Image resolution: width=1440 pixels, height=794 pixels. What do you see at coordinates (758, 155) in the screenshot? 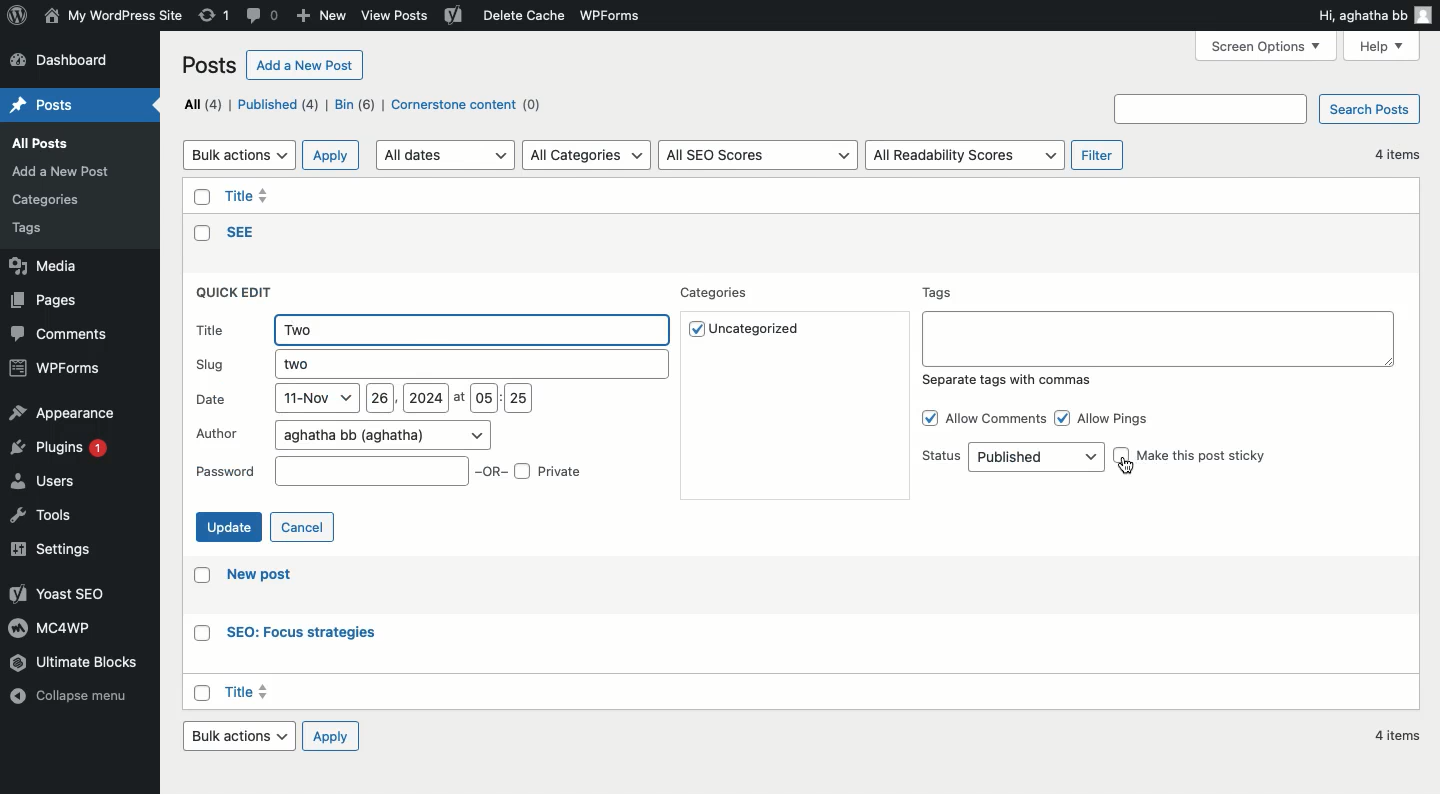
I see `All SEO scores` at bounding box center [758, 155].